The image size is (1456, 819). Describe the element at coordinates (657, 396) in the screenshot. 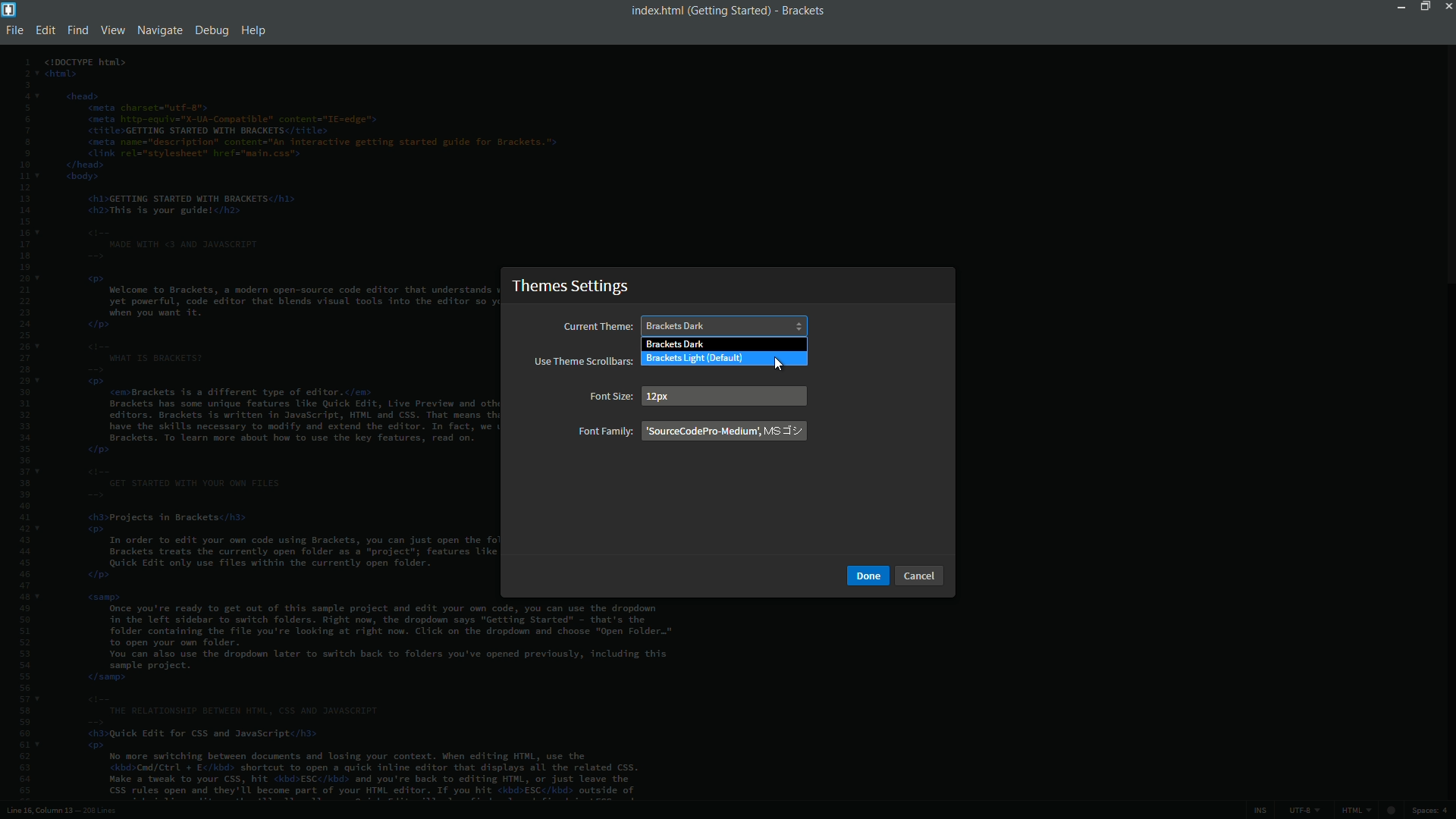

I see `12 px` at that location.